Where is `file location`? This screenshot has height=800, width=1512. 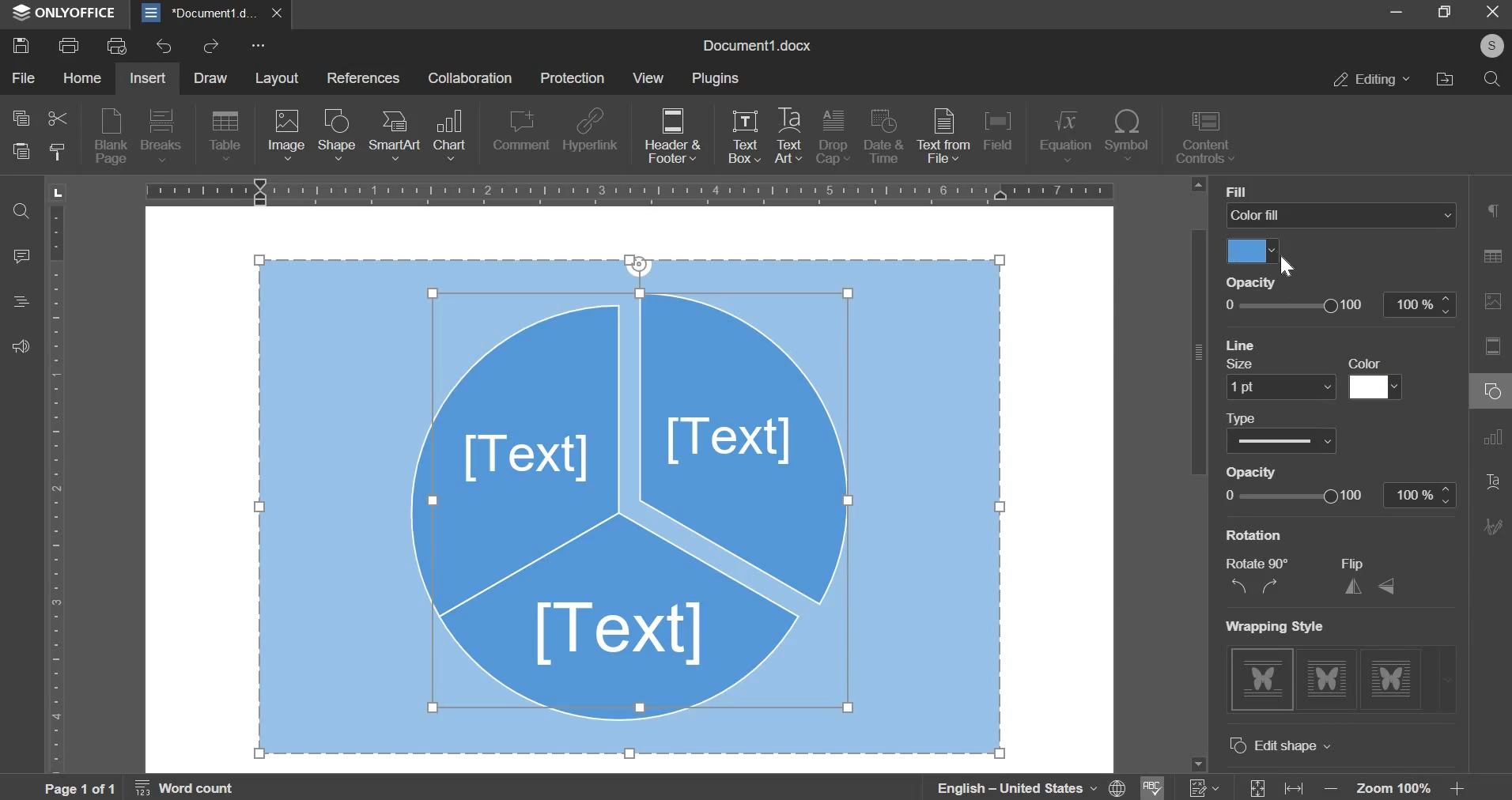 file location is located at coordinates (1445, 78).